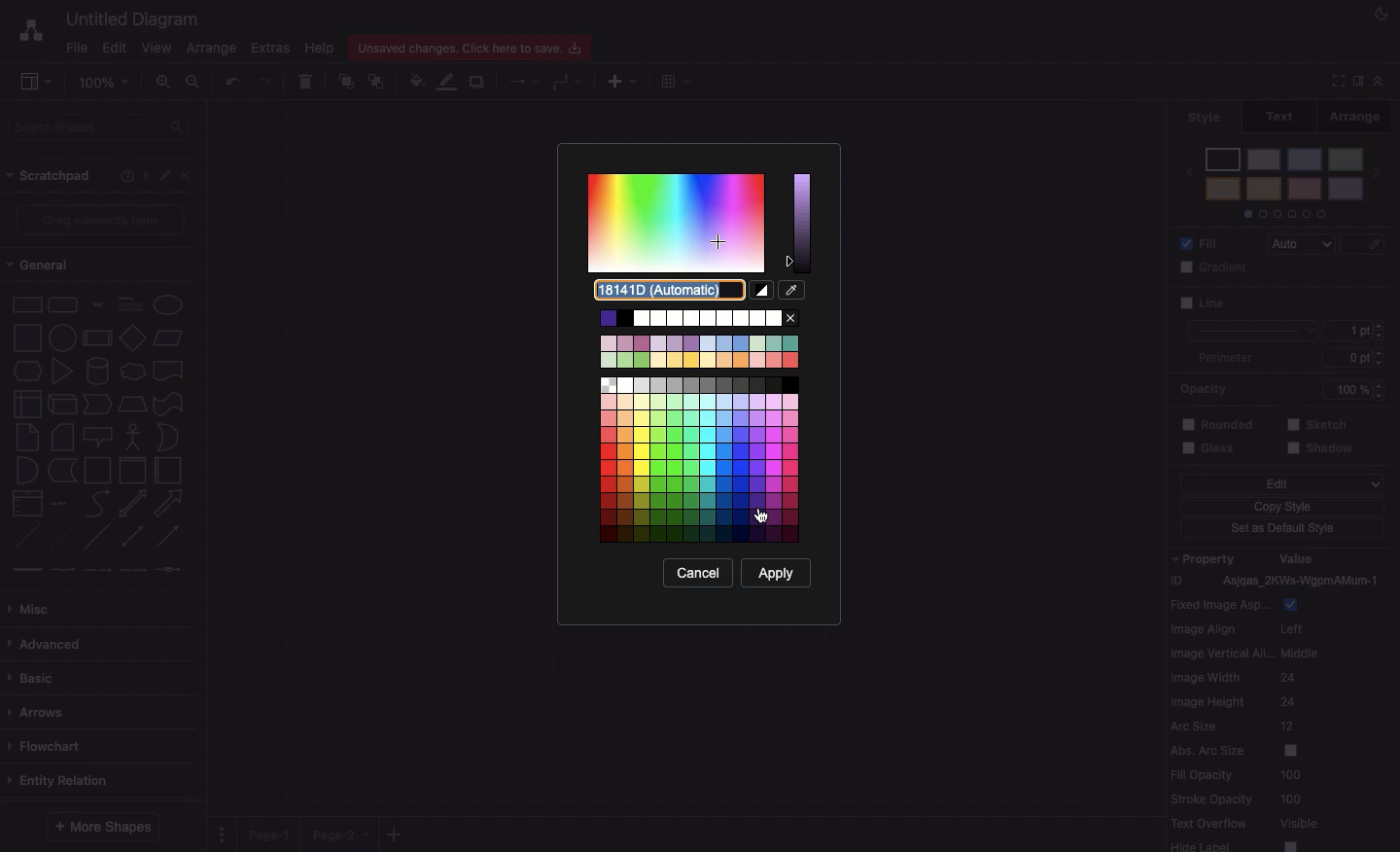 This screenshot has width=1400, height=852. Describe the element at coordinates (133, 436) in the screenshot. I see `actor` at that location.